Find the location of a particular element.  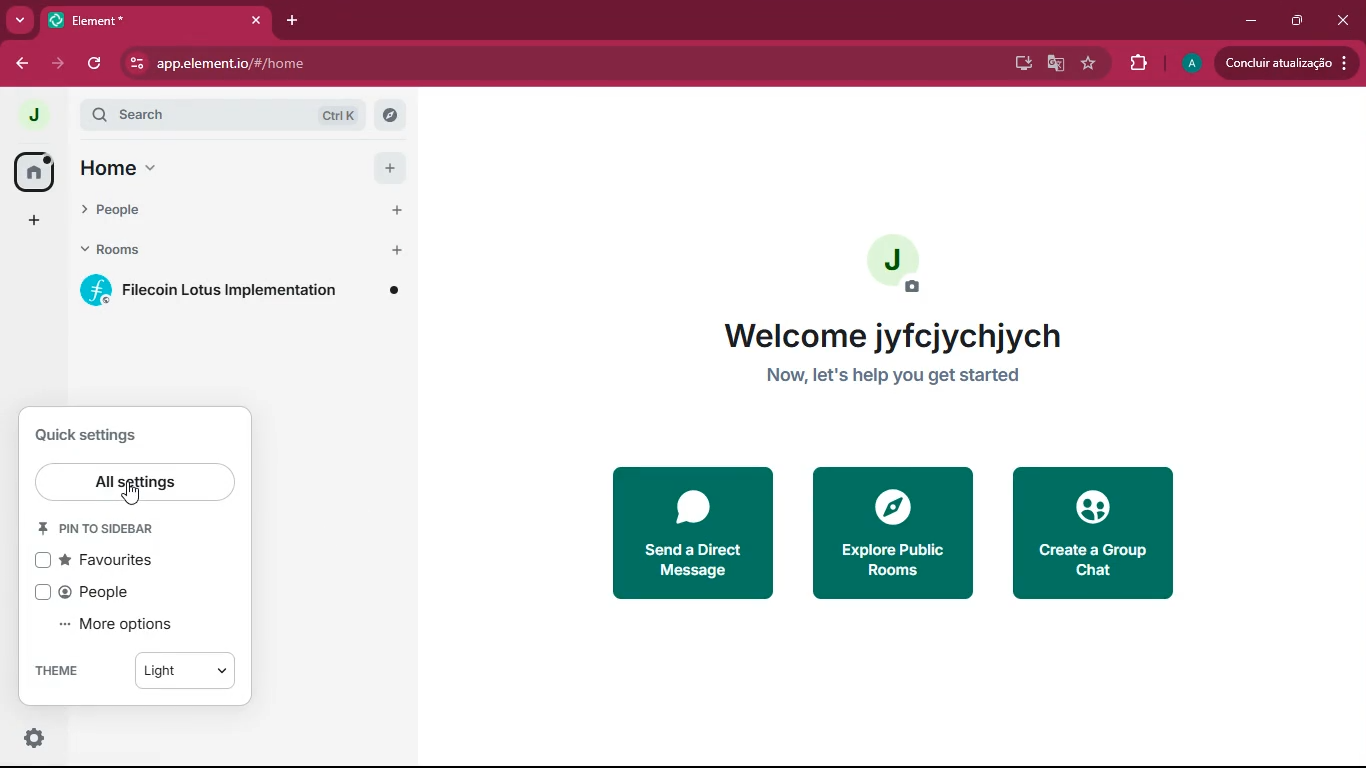

Now, let's help you get started is located at coordinates (890, 377).